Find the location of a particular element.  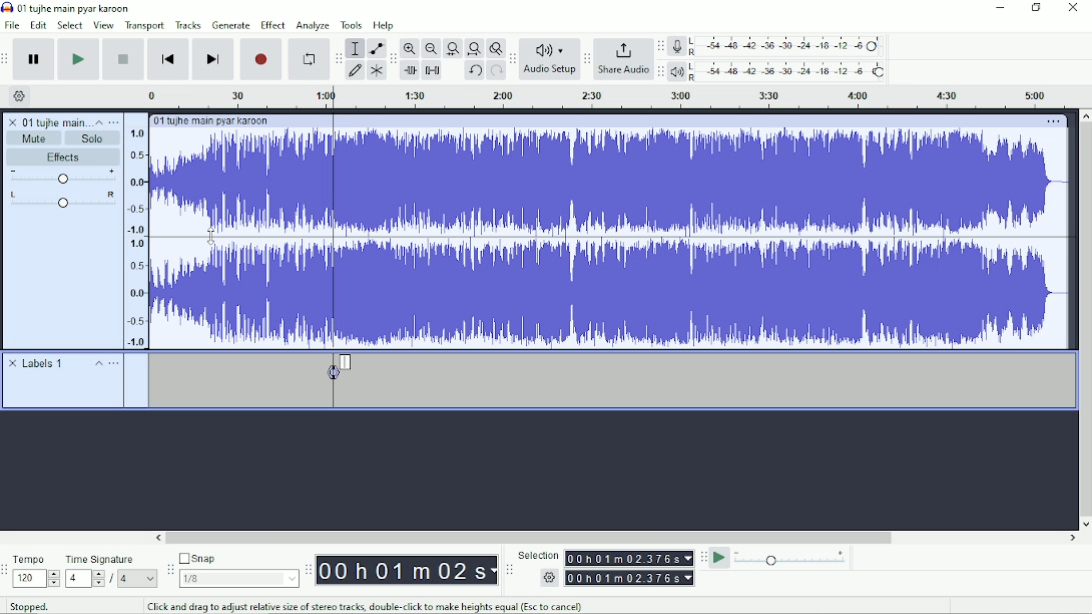

Record is located at coordinates (262, 59).